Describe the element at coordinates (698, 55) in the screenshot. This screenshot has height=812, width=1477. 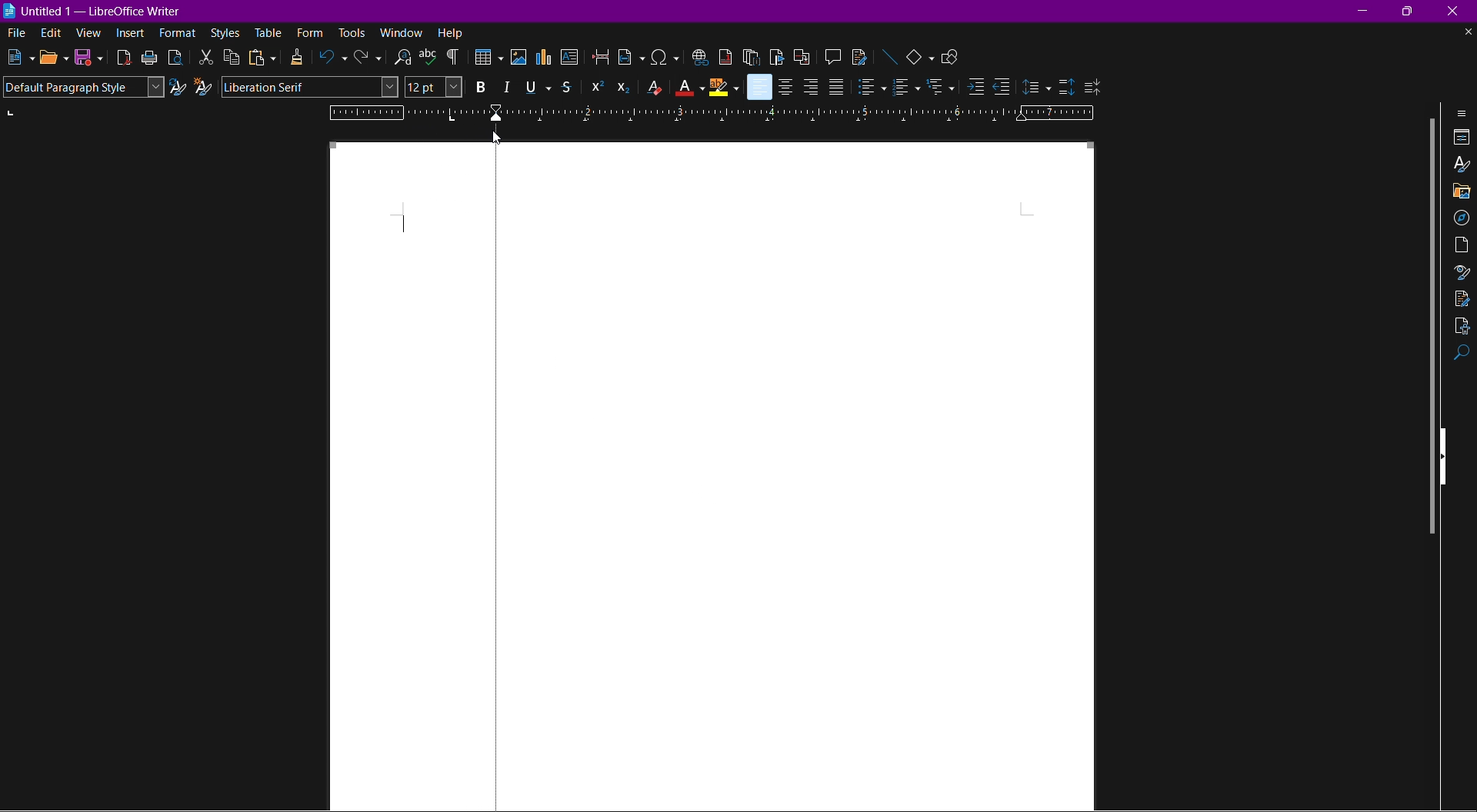
I see `Insert link` at that location.